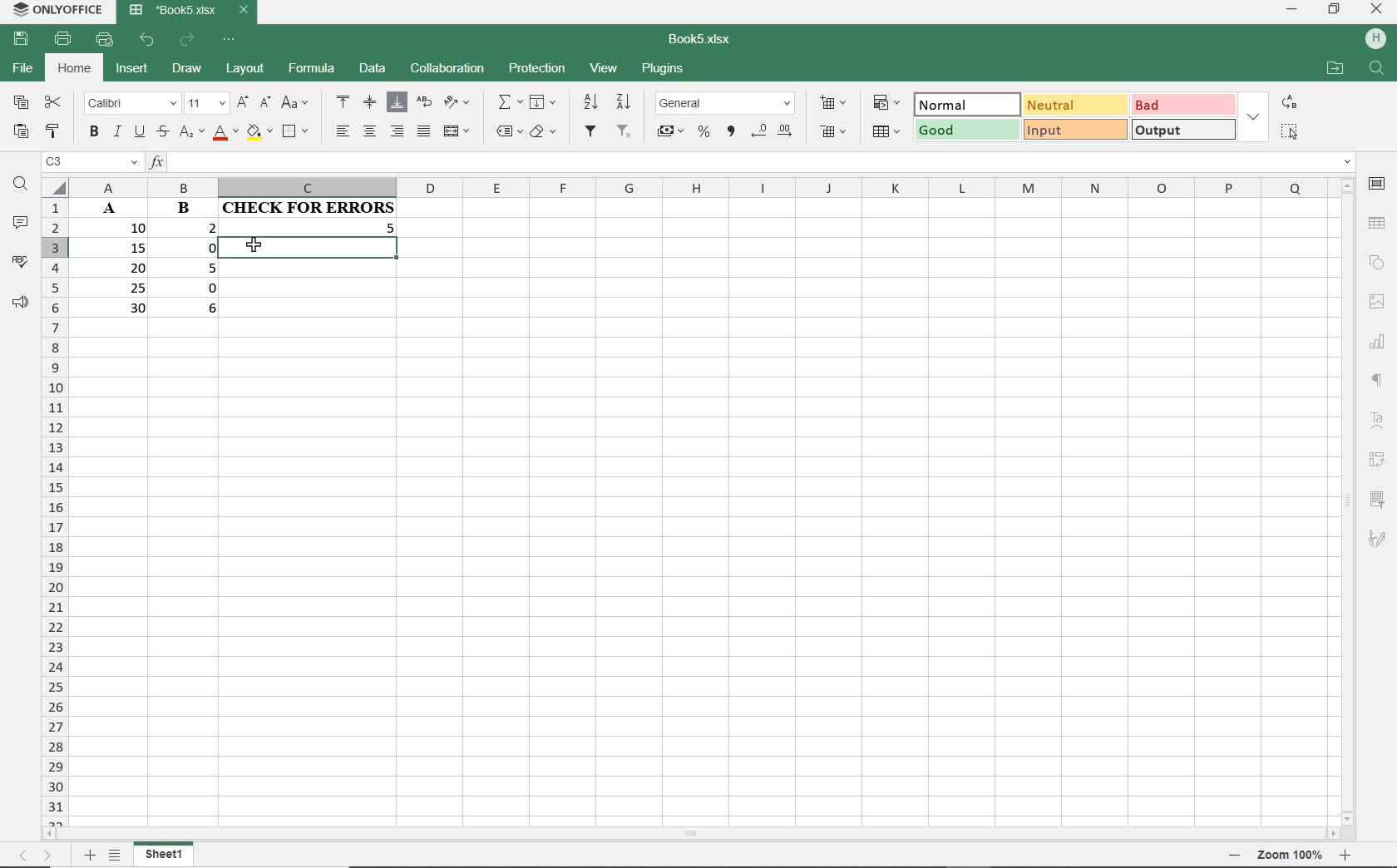  Describe the element at coordinates (698, 188) in the screenshot. I see `COLUMNS` at that location.